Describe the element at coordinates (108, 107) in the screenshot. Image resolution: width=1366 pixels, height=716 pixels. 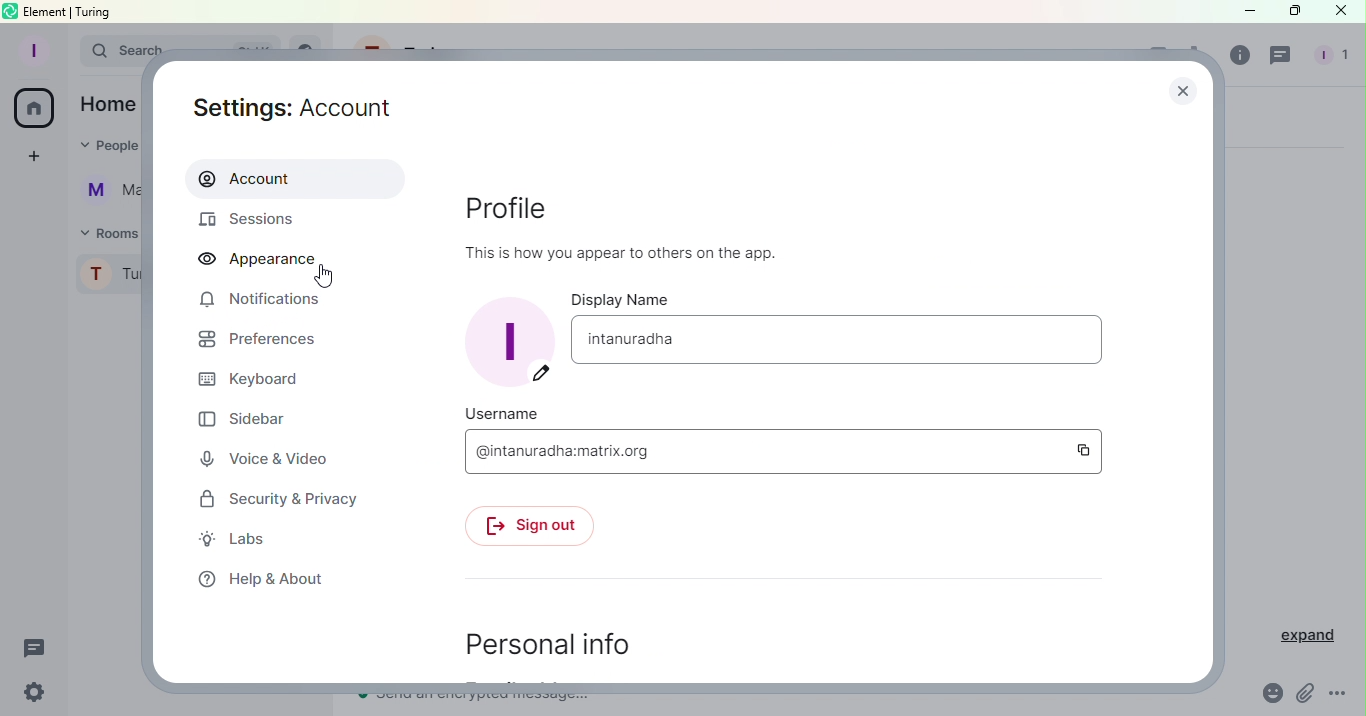
I see `Home` at that location.